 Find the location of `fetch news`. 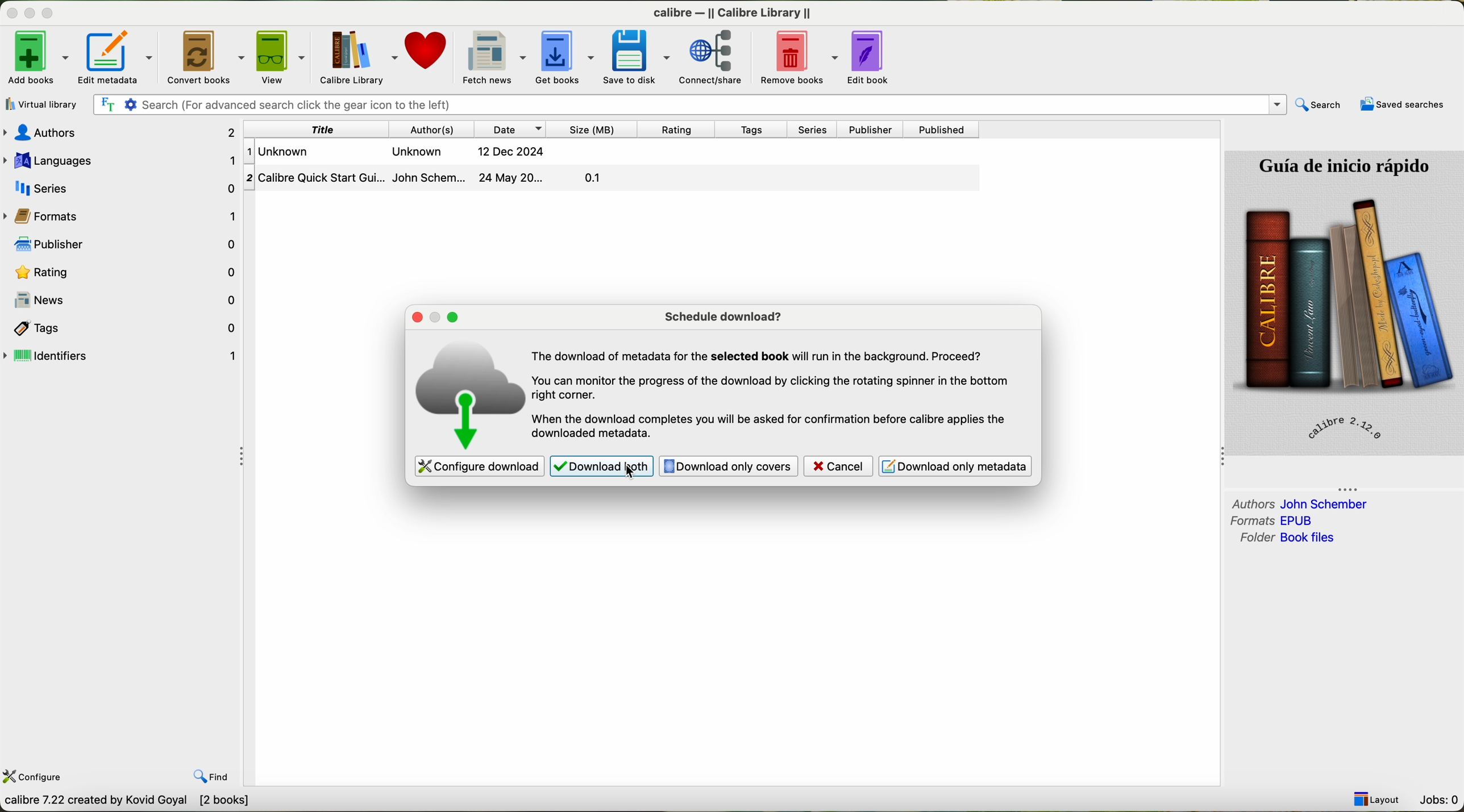

fetch news is located at coordinates (494, 56).